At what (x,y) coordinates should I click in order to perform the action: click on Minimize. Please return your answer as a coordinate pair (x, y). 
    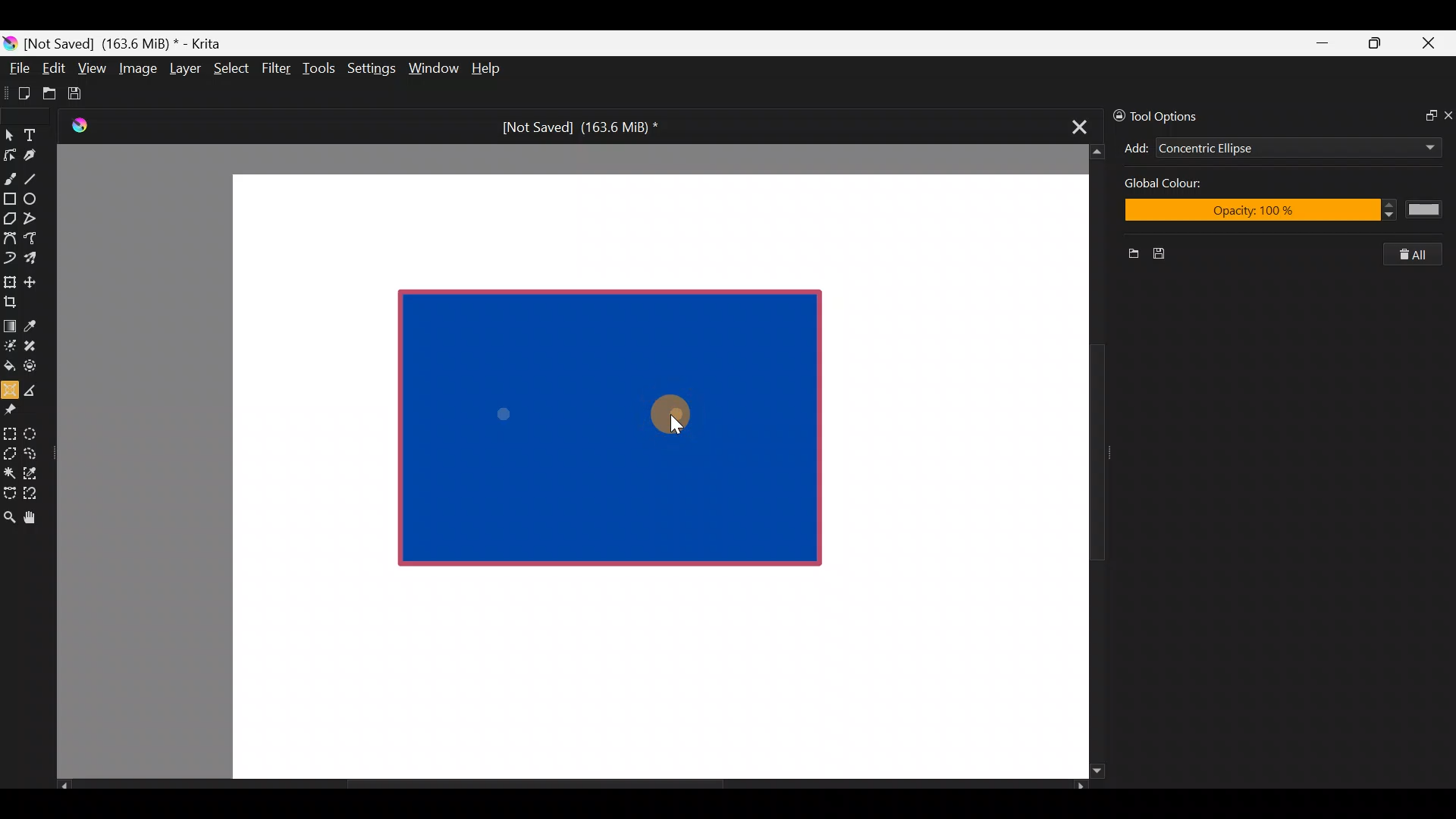
    Looking at the image, I should click on (1323, 43).